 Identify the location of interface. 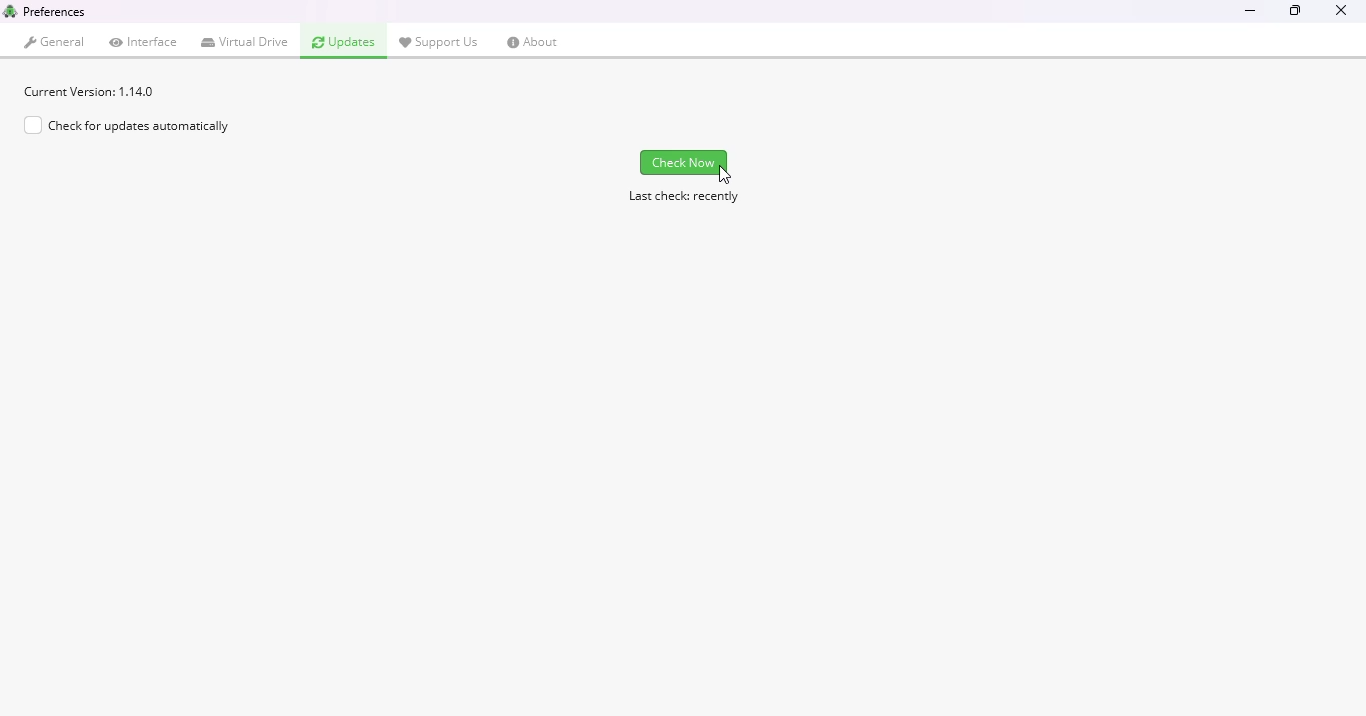
(144, 41).